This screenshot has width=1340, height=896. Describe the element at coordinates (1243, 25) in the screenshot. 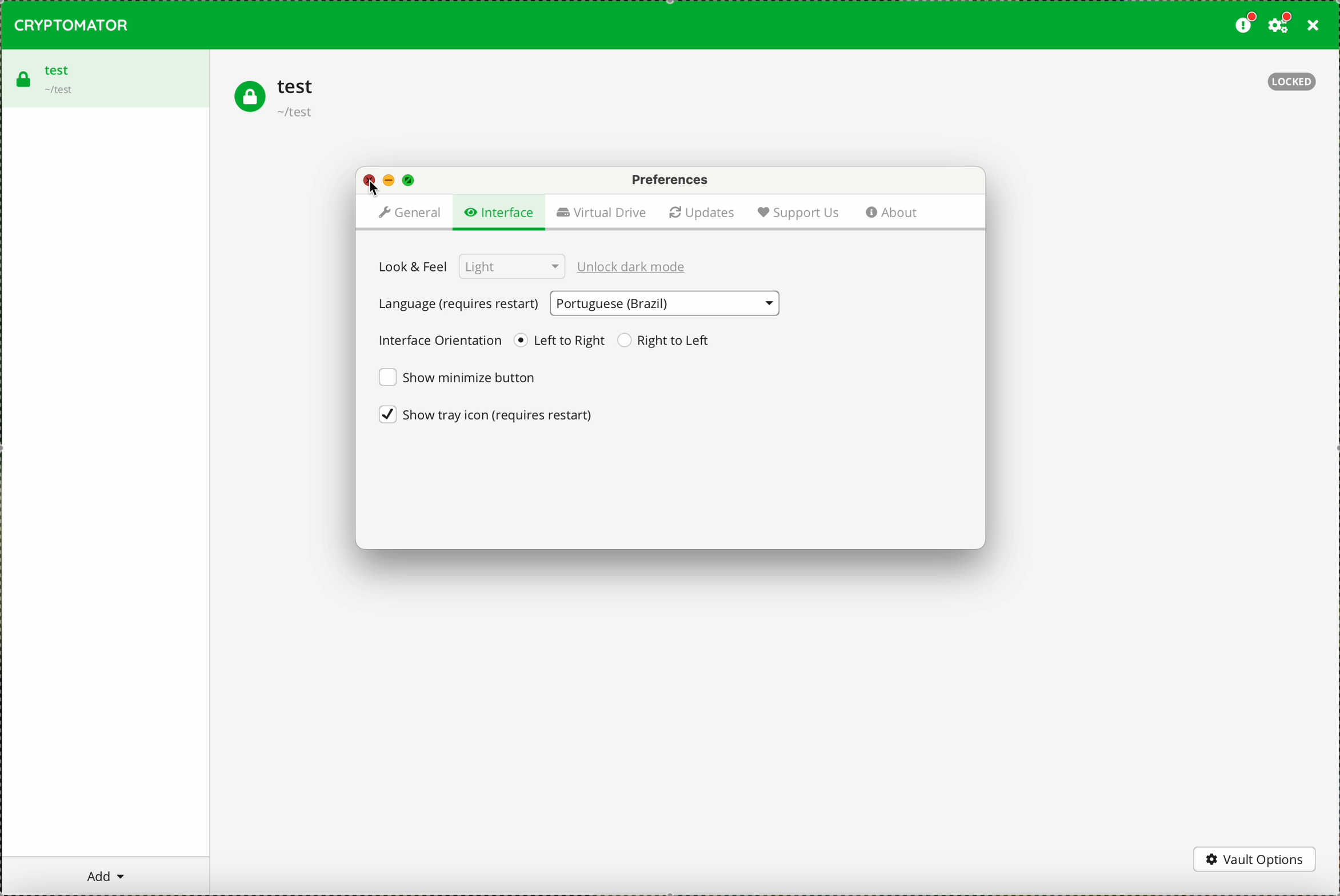

I see `donate` at that location.